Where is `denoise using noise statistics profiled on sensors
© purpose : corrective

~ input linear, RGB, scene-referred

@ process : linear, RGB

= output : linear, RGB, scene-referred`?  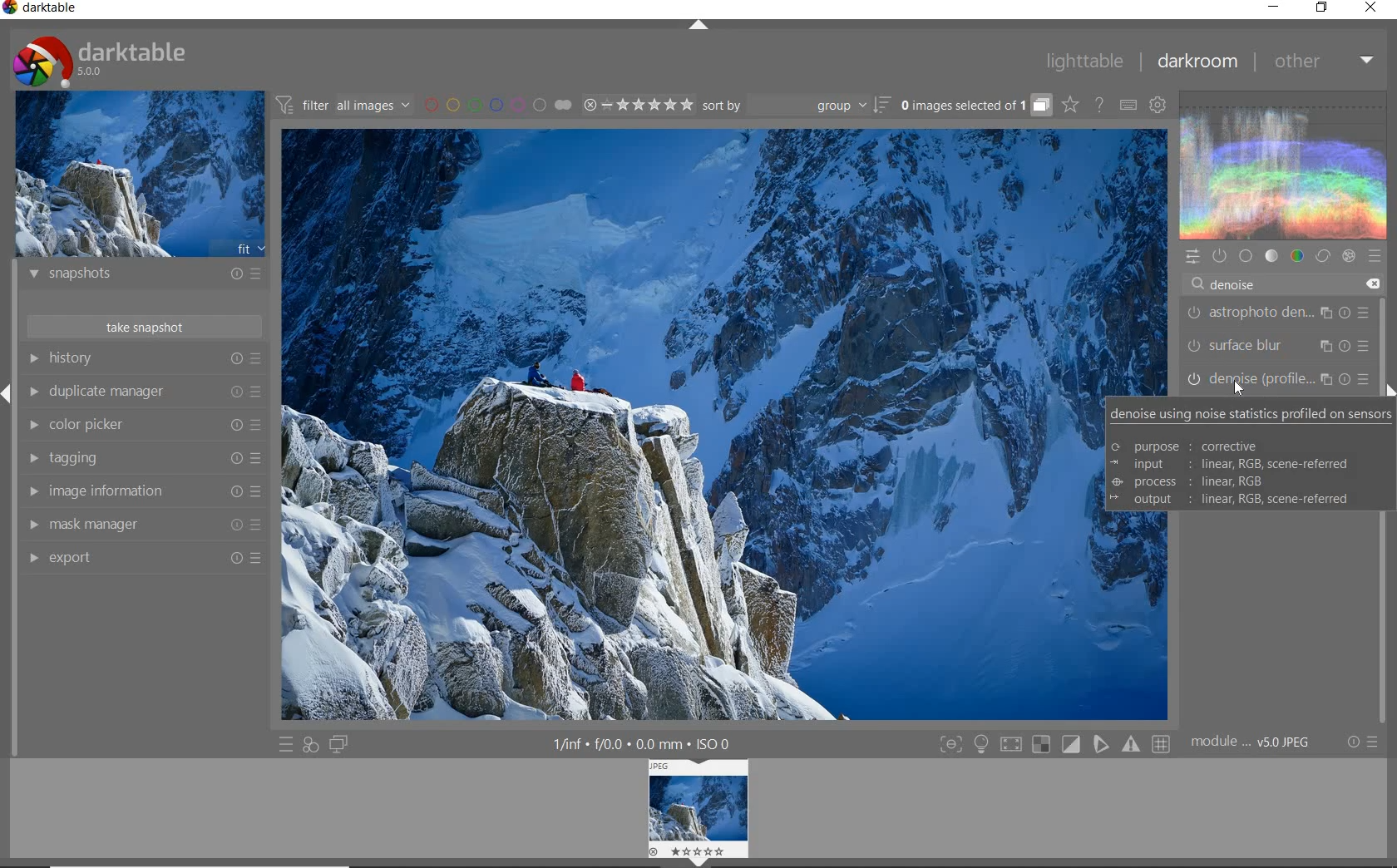 denoise using noise statistics profiled on sensors
© purpose : corrective

~ input linear, RGB, scene-referred

@ process : linear, RGB

= output : linear, RGB, scene-referred is located at coordinates (1249, 458).